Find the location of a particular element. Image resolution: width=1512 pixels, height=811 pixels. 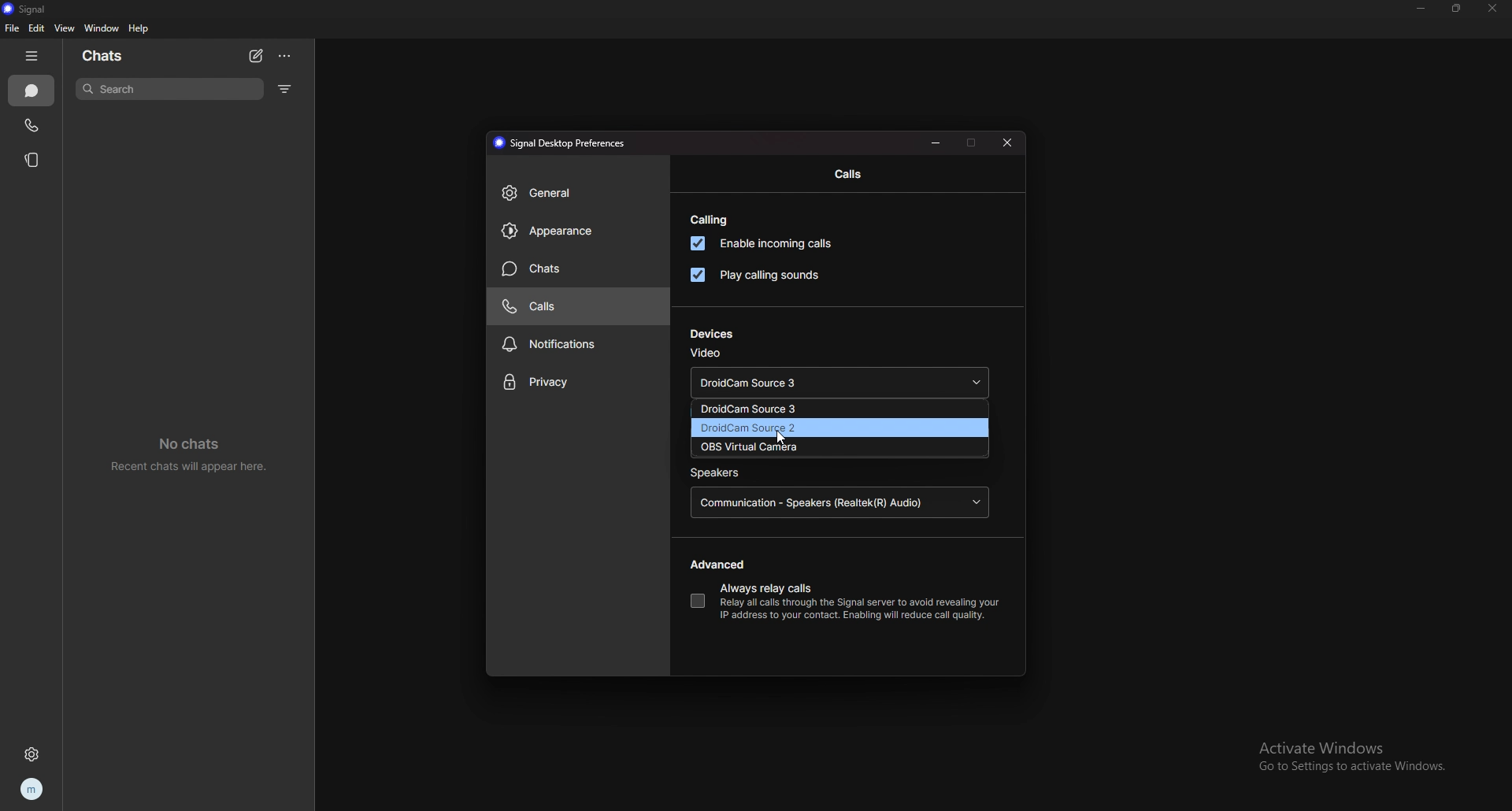

minimize is located at coordinates (1422, 9).